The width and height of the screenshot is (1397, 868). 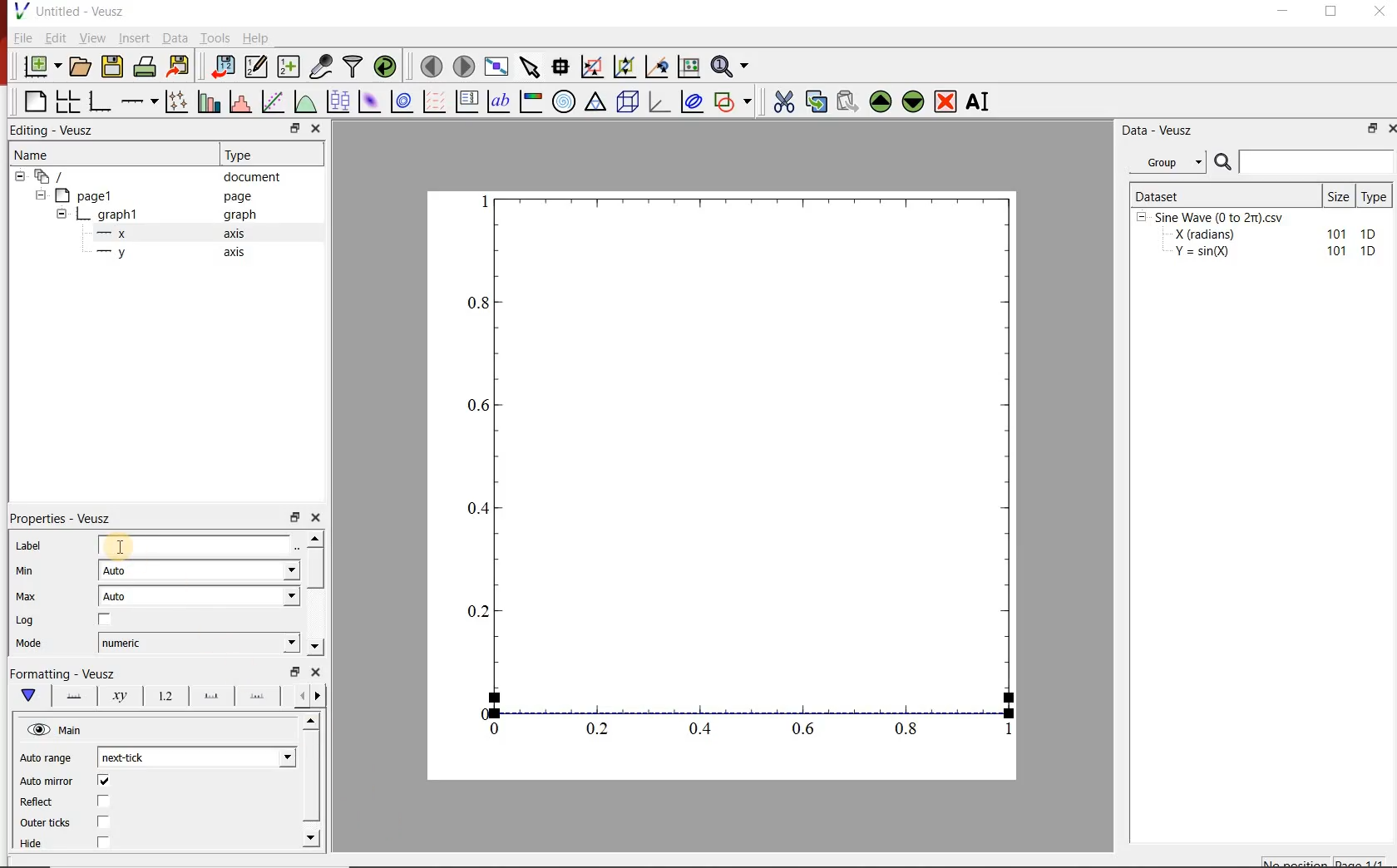 What do you see at coordinates (93, 37) in the screenshot?
I see `View` at bounding box center [93, 37].